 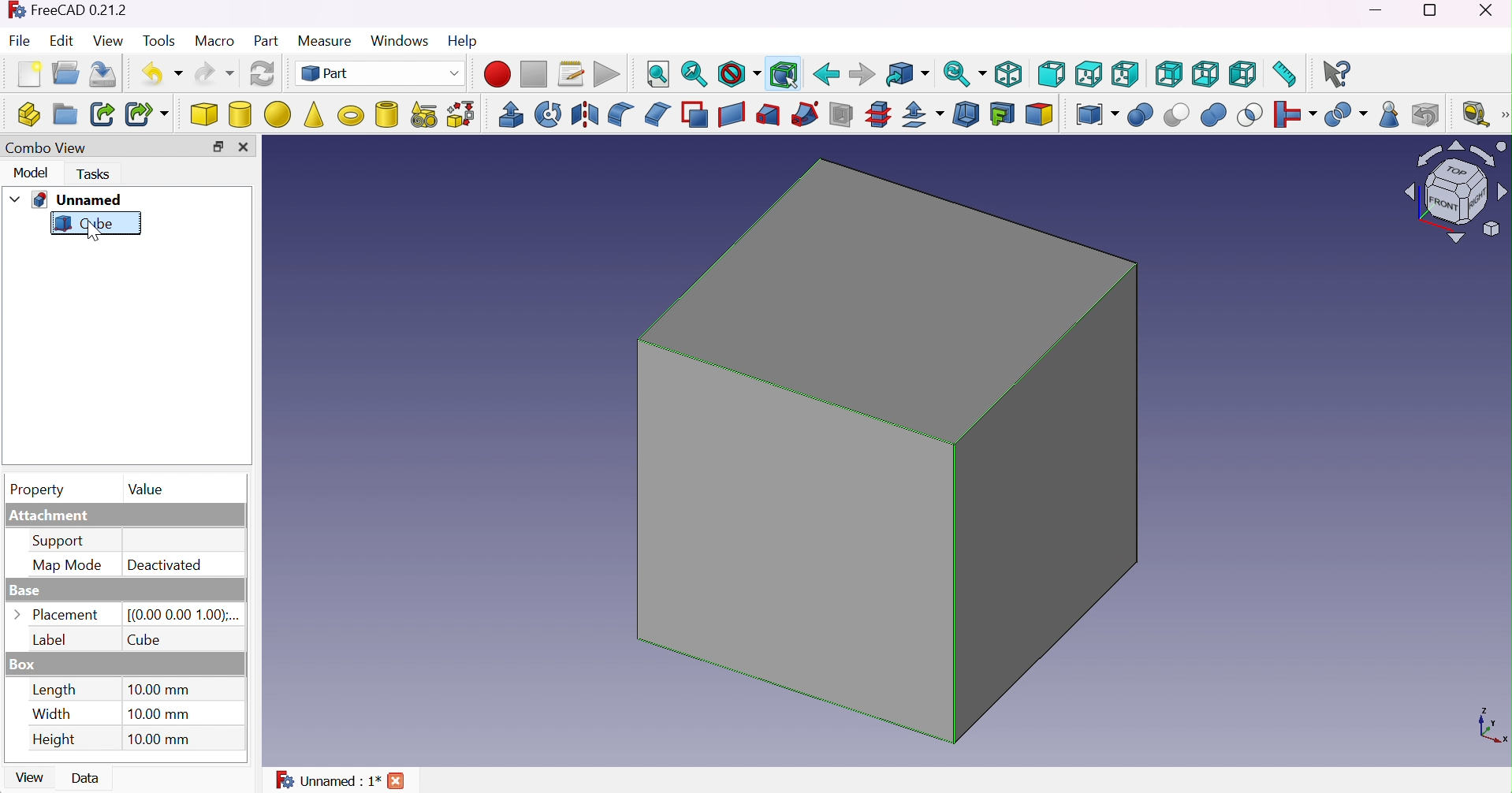 What do you see at coordinates (465, 40) in the screenshot?
I see `Help` at bounding box center [465, 40].